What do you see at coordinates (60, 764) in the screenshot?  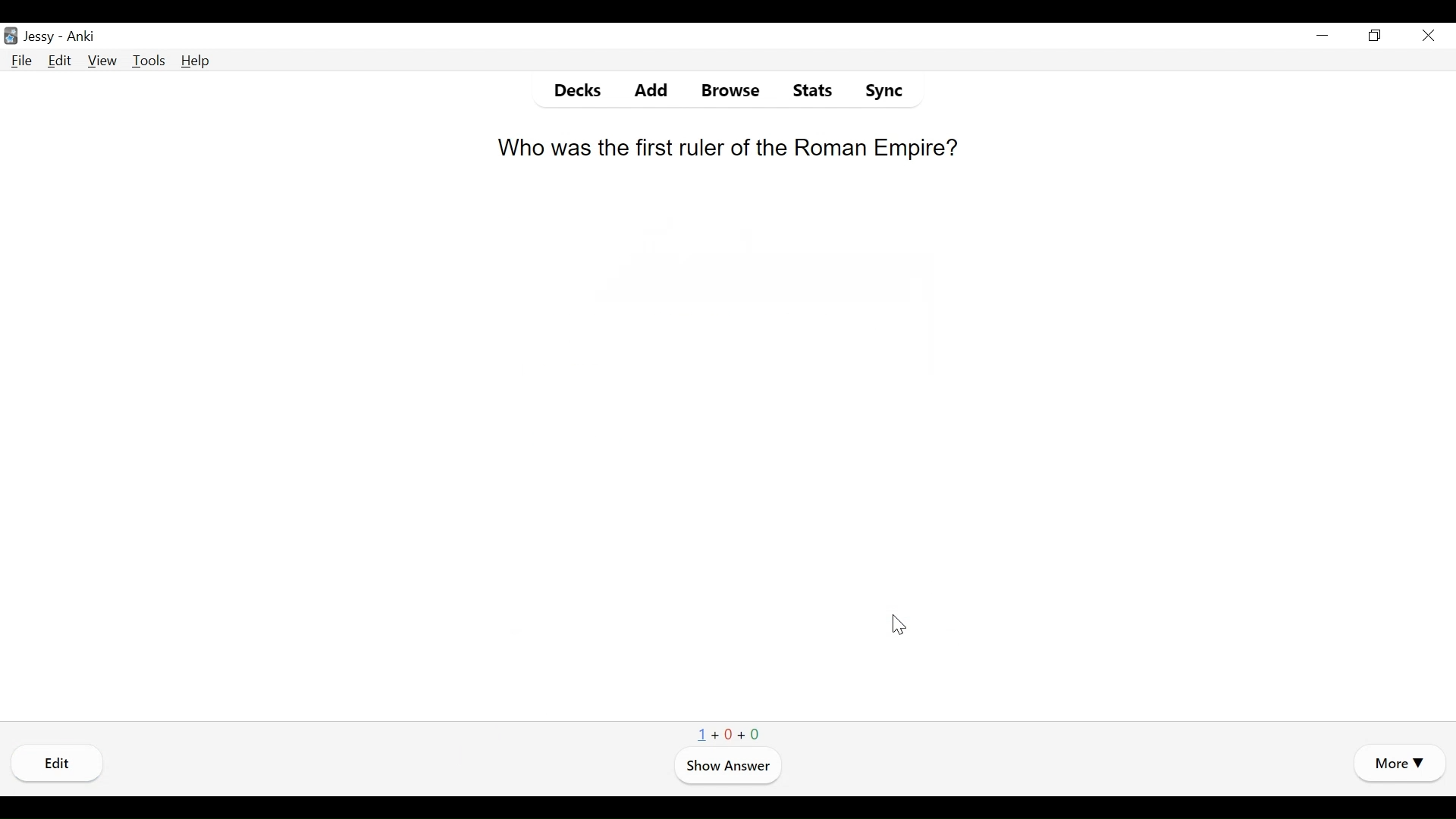 I see `Edi` at bounding box center [60, 764].